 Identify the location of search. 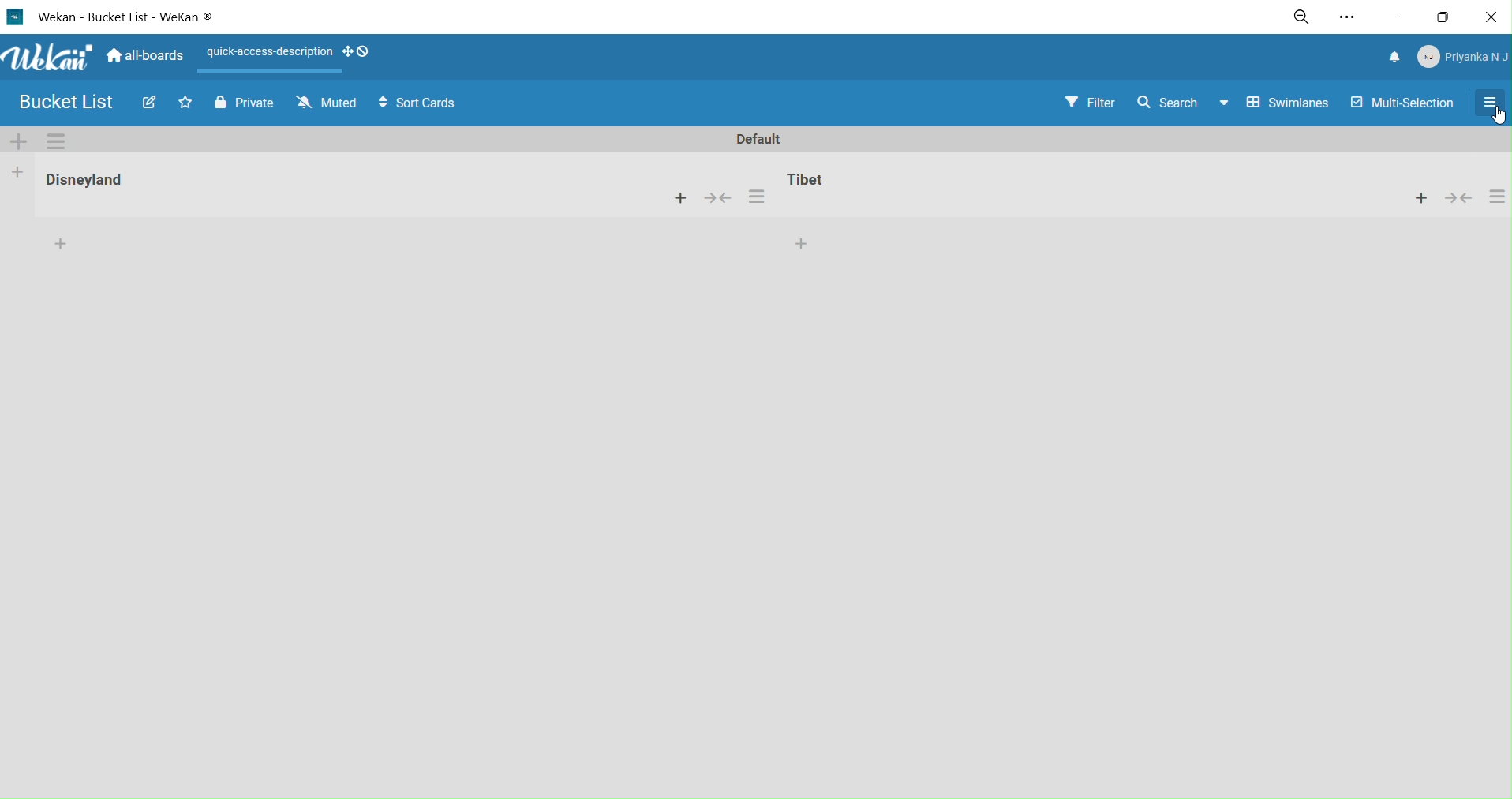
(1166, 102).